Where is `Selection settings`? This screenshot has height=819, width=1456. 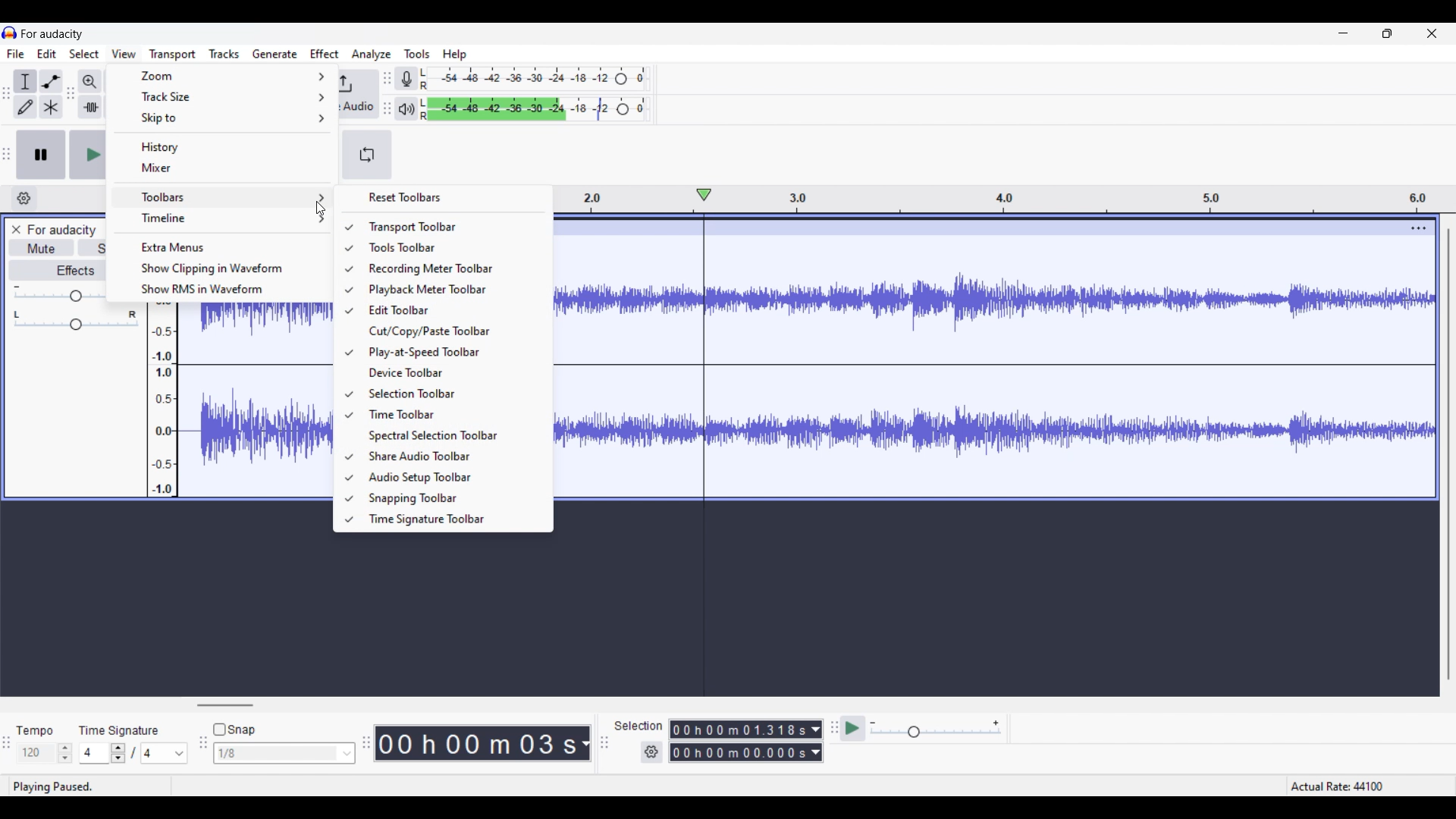
Selection settings is located at coordinates (651, 752).